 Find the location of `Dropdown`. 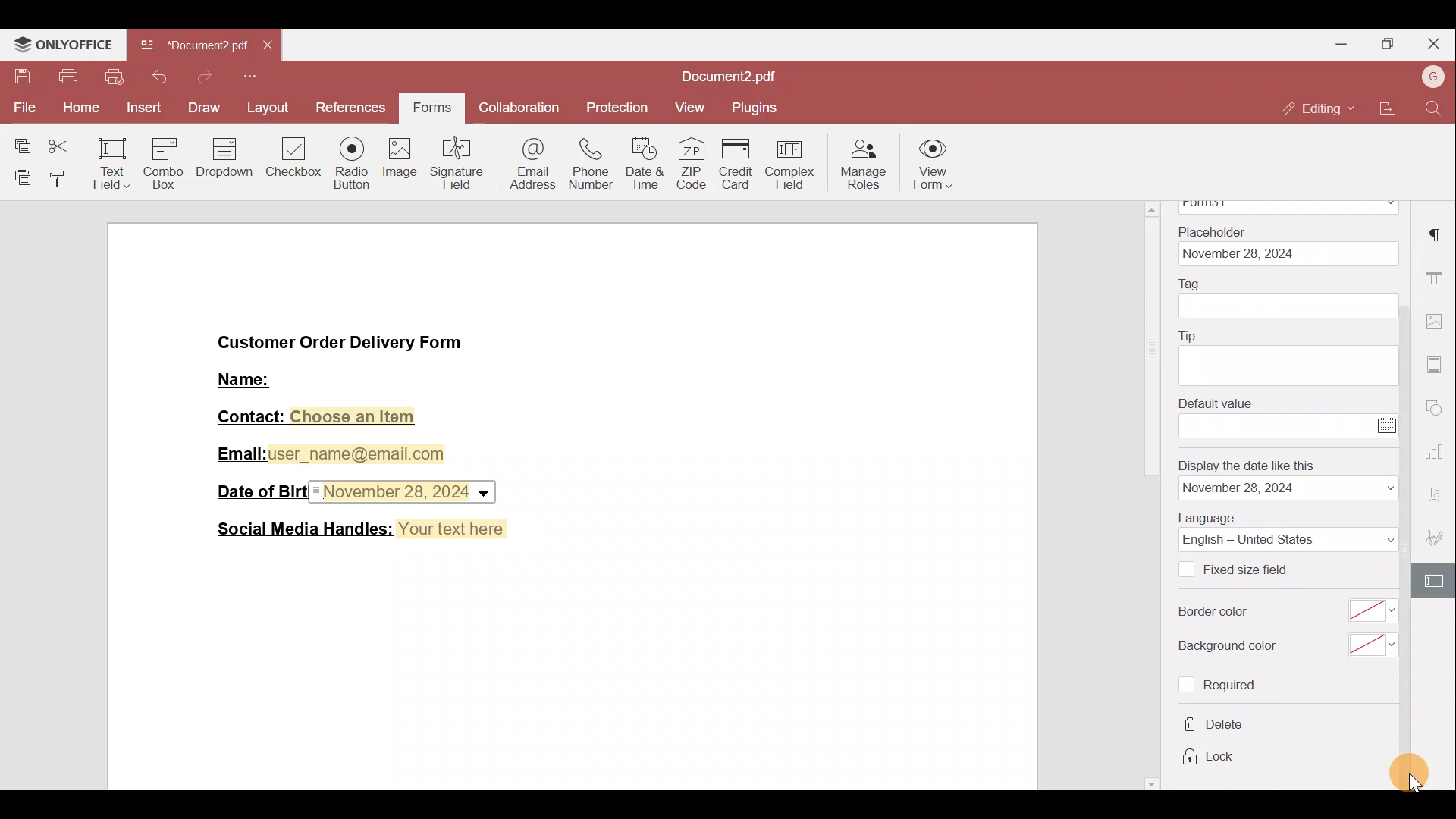

Dropdown is located at coordinates (226, 161).